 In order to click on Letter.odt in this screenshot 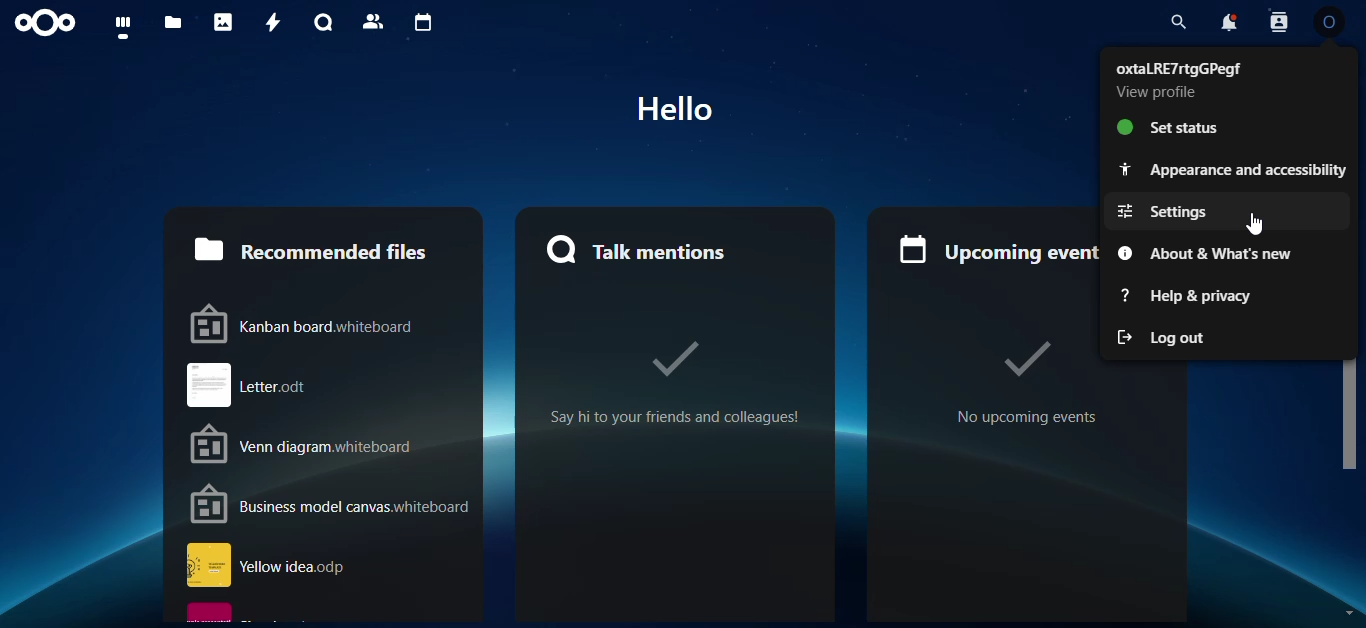, I will do `click(331, 385)`.